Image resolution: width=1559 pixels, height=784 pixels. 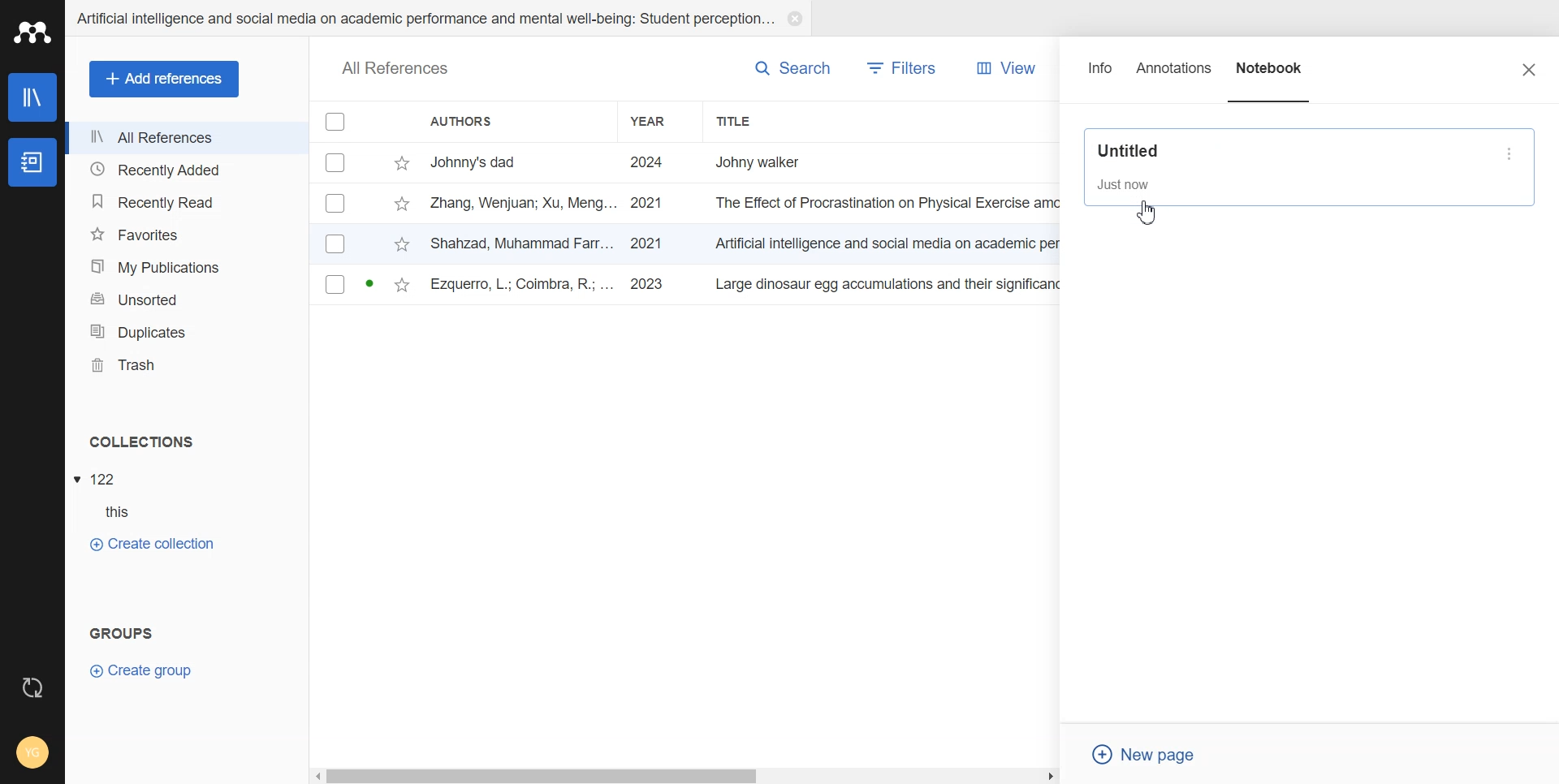 What do you see at coordinates (794, 19) in the screenshot?
I see `Close` at bounding box center [794, 19].